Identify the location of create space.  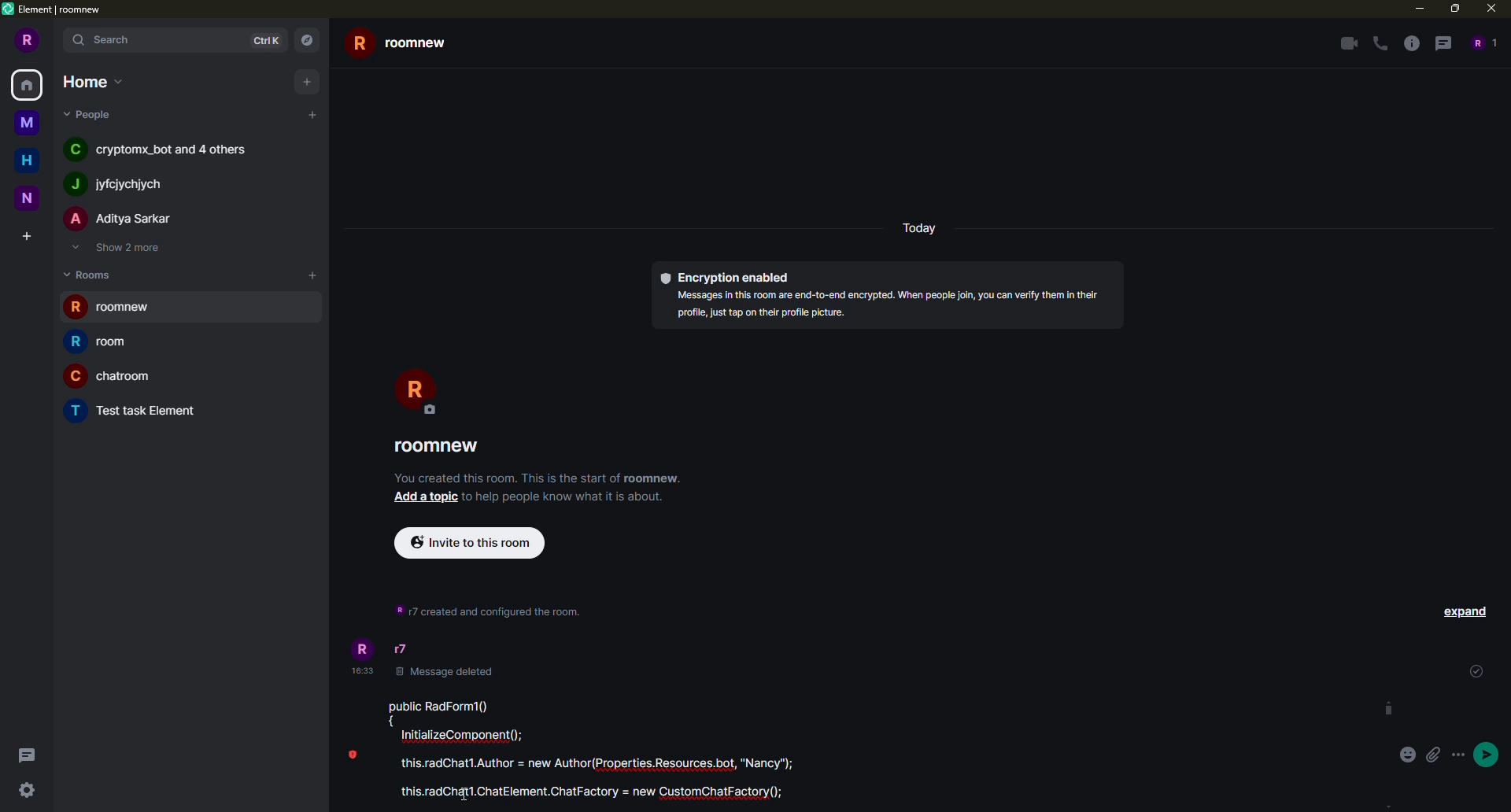
(28, 234).